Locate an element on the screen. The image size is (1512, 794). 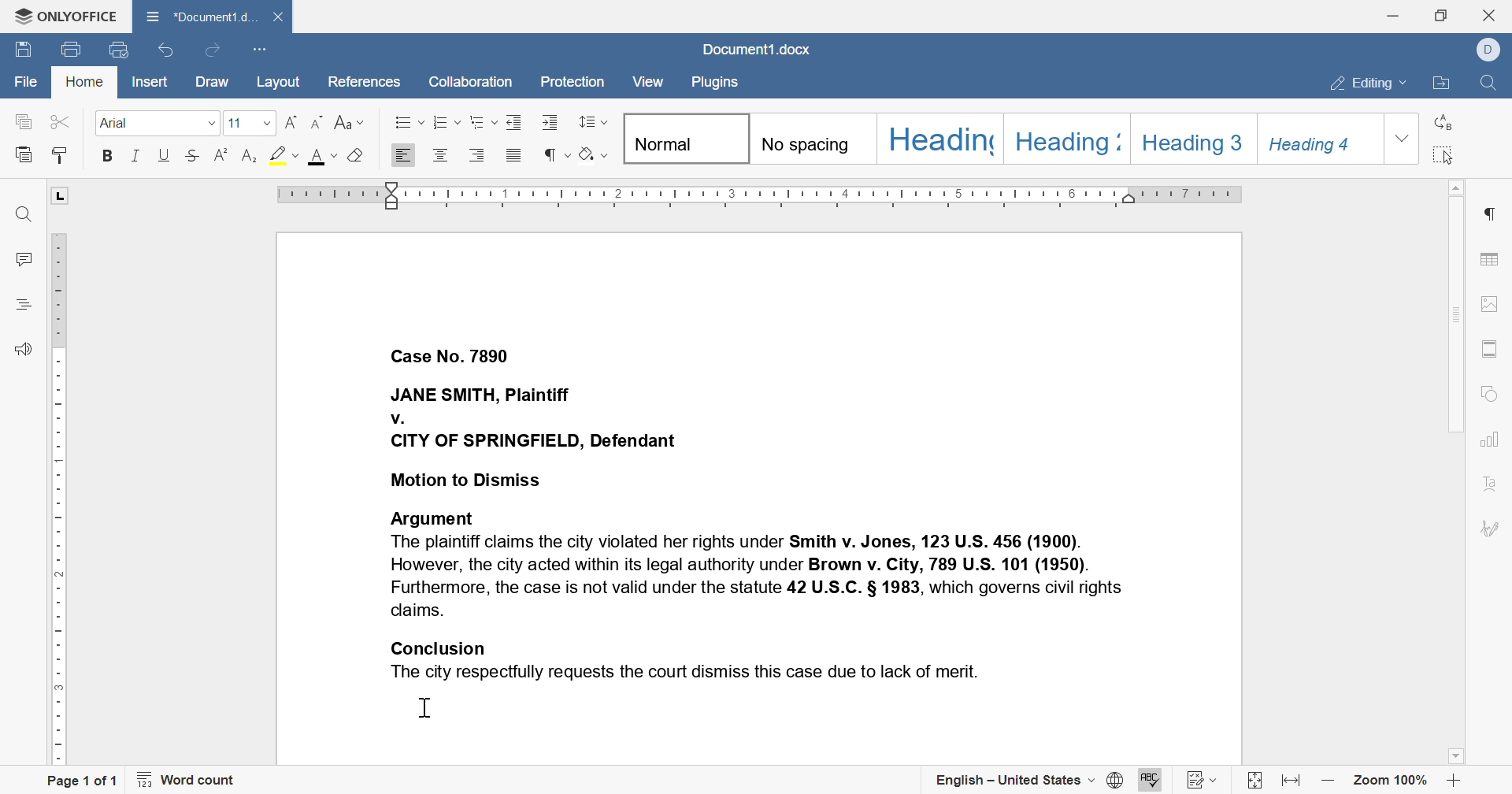
multilevel list is located at coordinates (483, 121).